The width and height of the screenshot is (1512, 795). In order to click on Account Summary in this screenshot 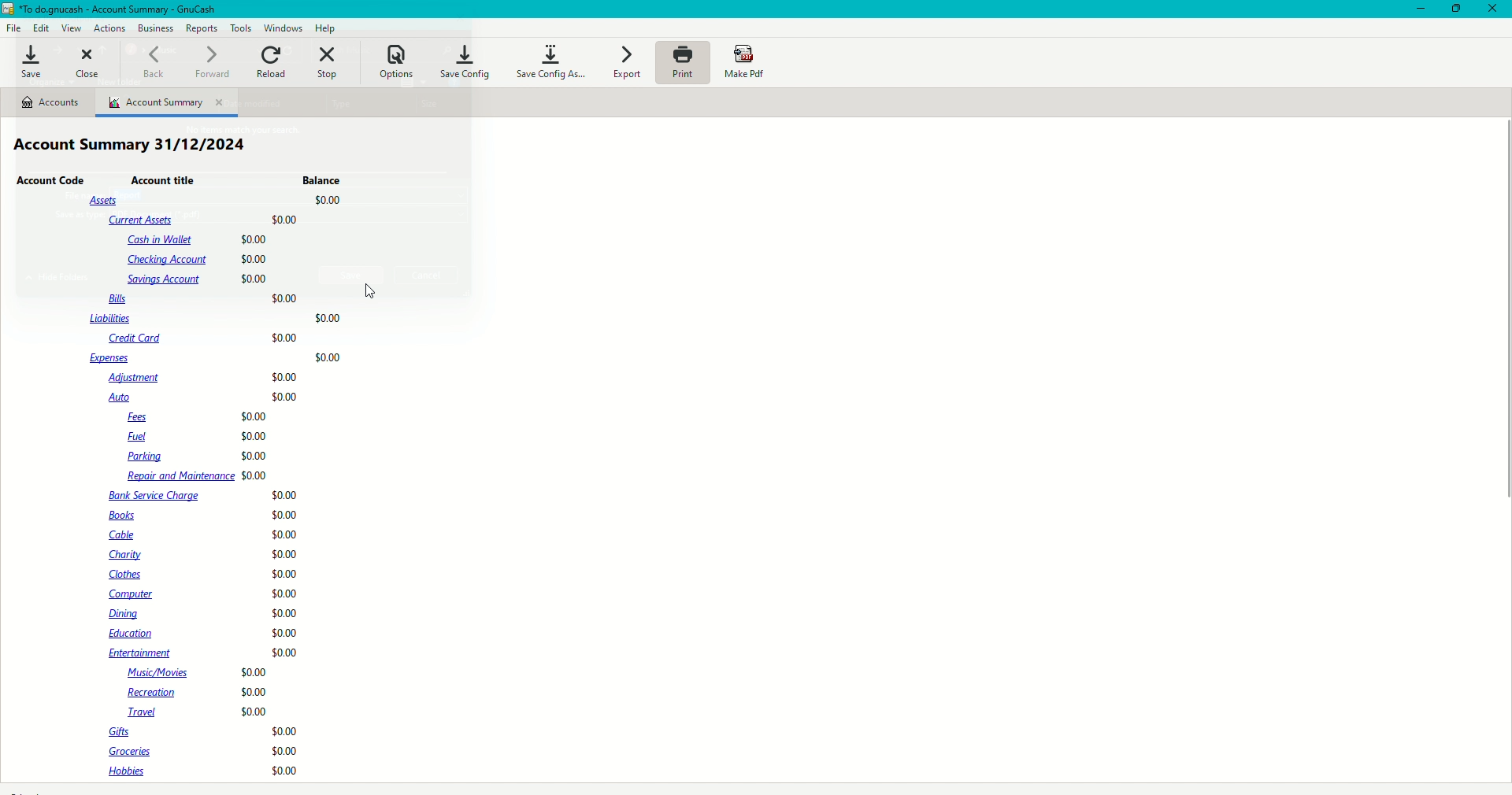, I will do `click(135, 146)`.